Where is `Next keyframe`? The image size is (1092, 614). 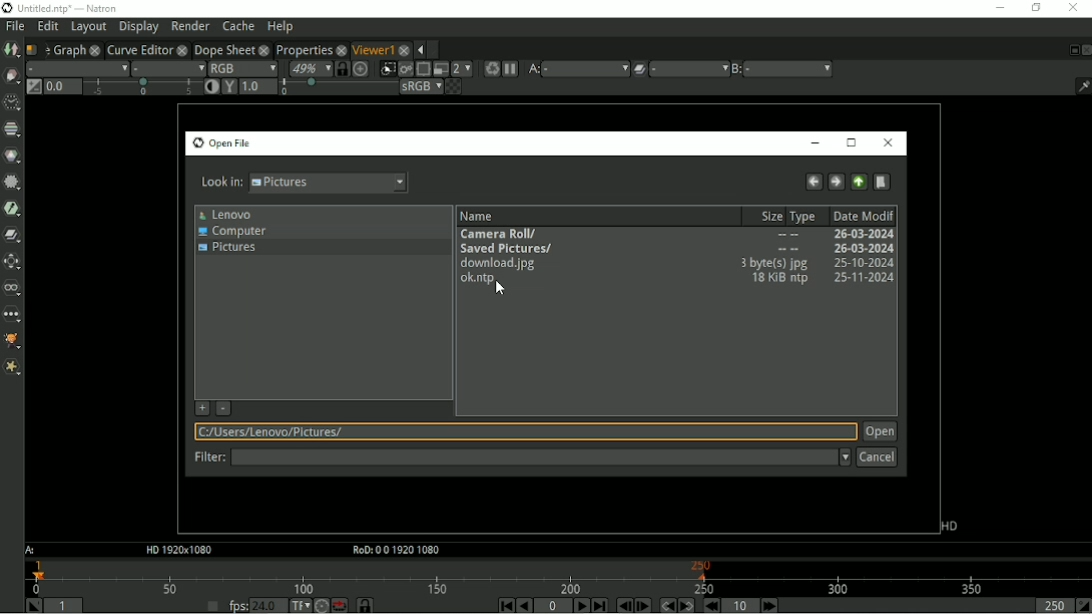
Next keyframe is located at coordinates (684, 605).